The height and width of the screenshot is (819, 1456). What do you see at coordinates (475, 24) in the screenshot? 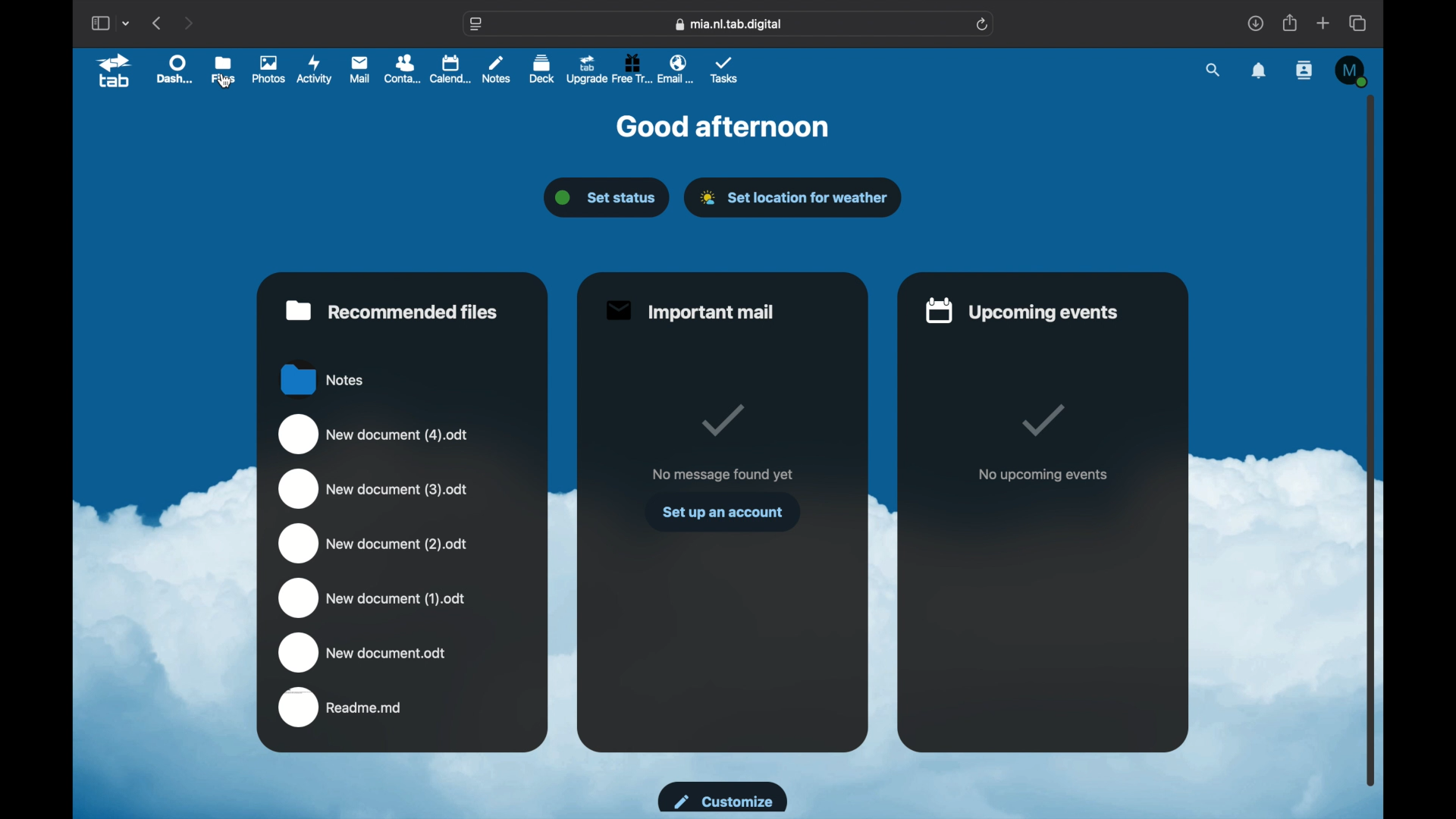
I see `website settings` at bounding box center [475, 24].